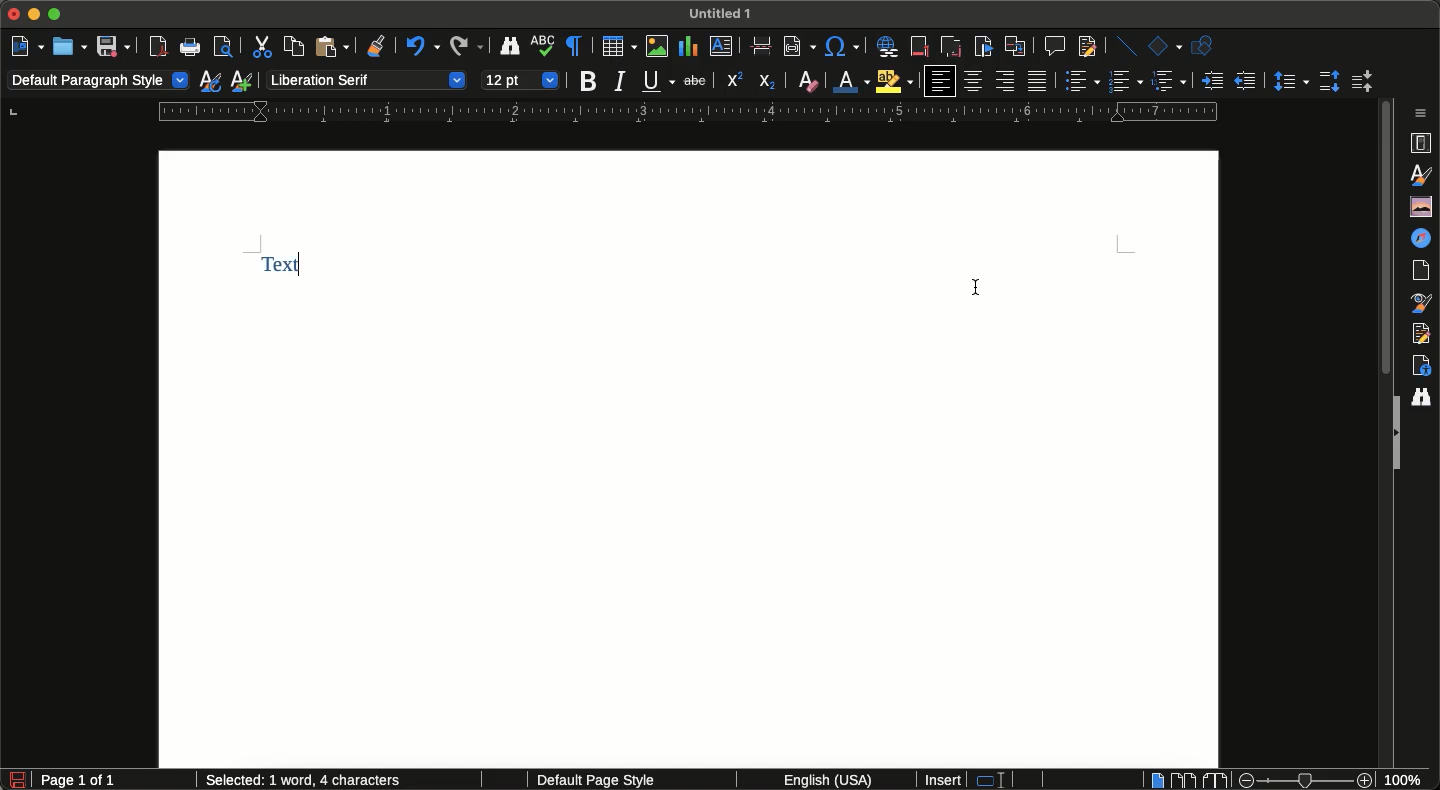  What do you see at coordinates (365, 79) in the screenshot?
I see `Font style` at bounding box center [365, 79].